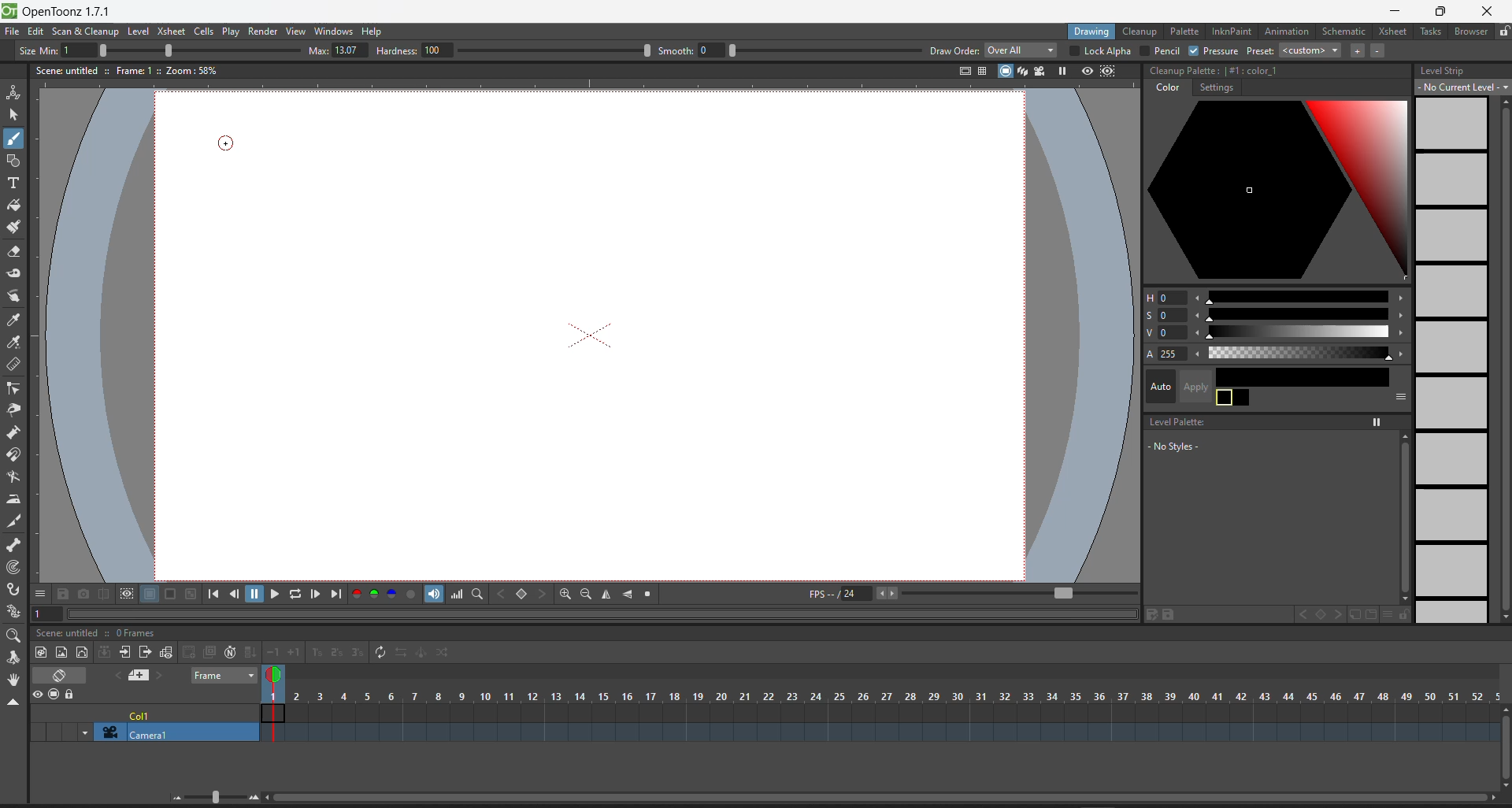 This screenshot has width=1512, height=808. Describe the element at coordinates (412, 594) in the screenshot. I see `alpha channel` at that location.